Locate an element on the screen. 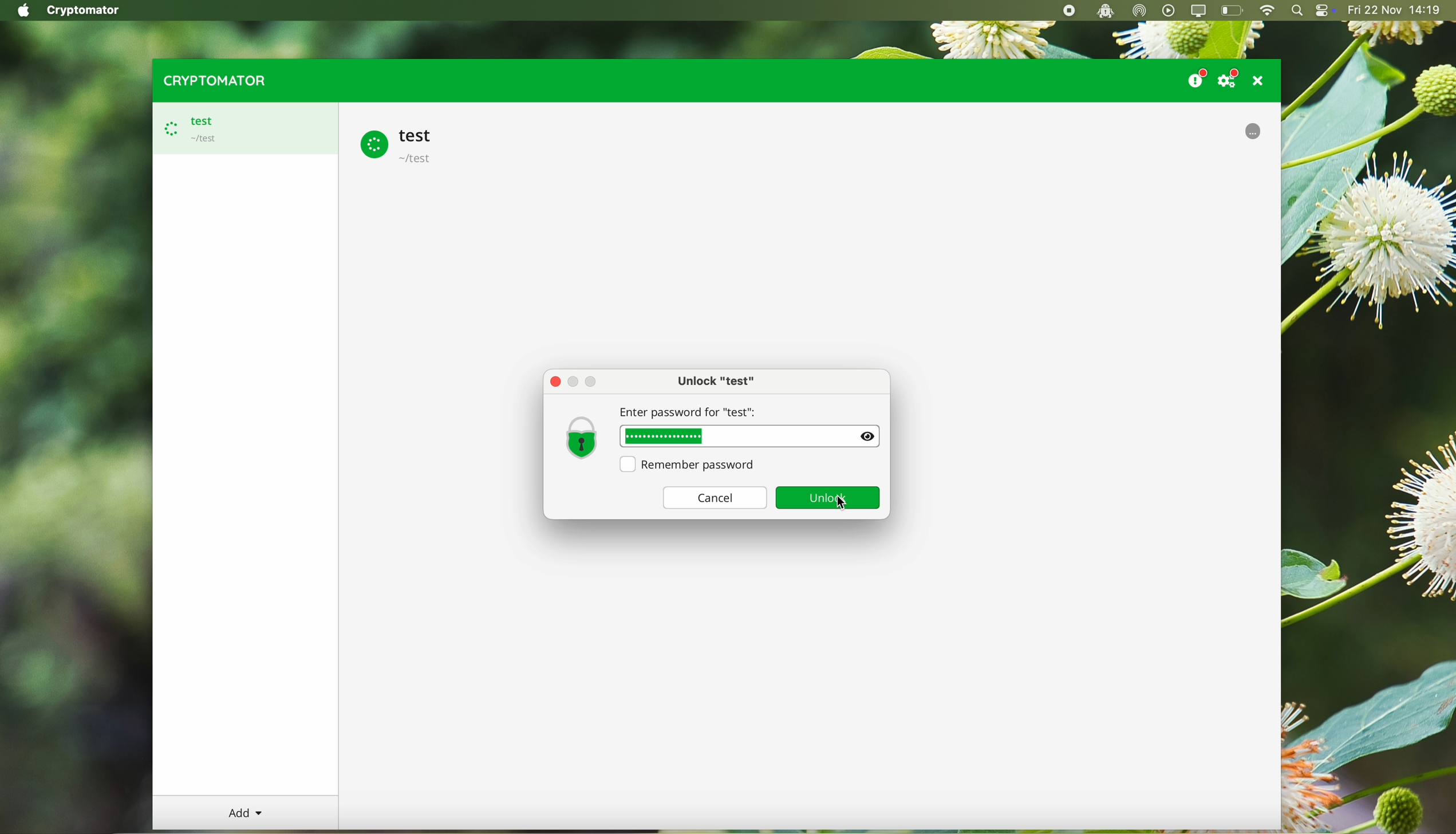 The image size is (1456, 834). Cryptomator is located at coordinates (85, 11).